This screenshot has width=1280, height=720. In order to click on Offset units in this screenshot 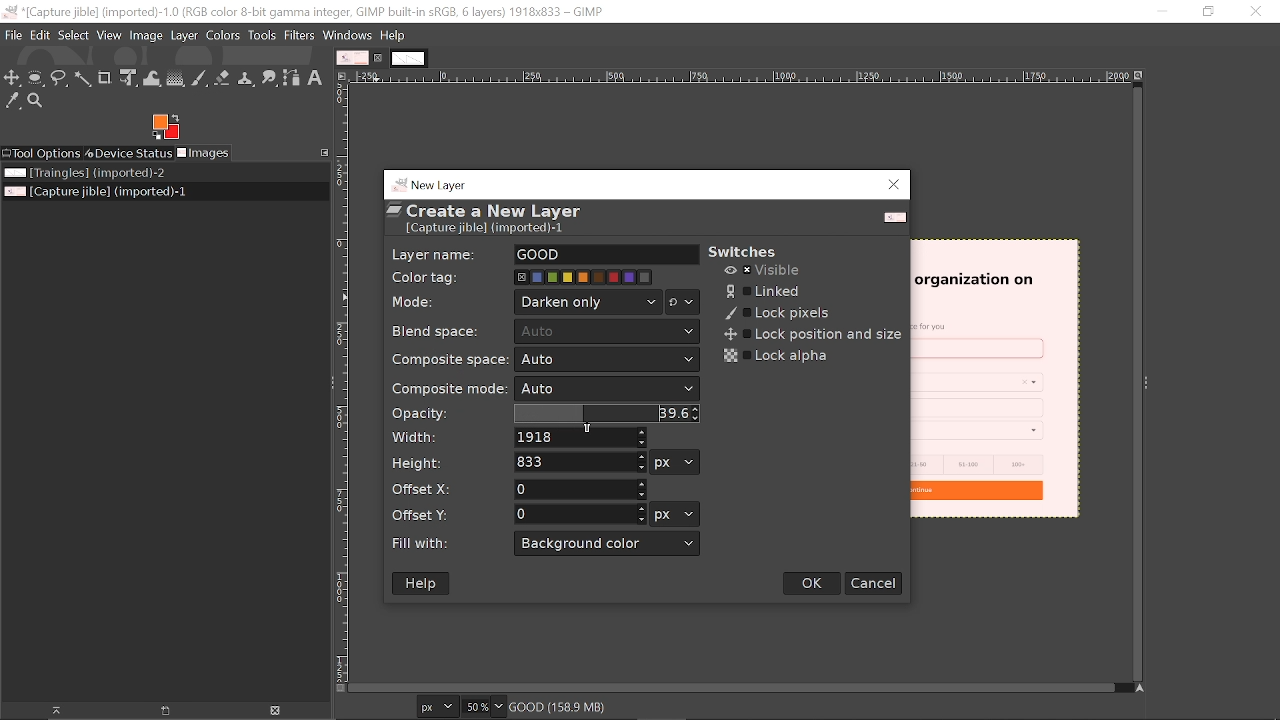, I will do `click(673, 514)`.